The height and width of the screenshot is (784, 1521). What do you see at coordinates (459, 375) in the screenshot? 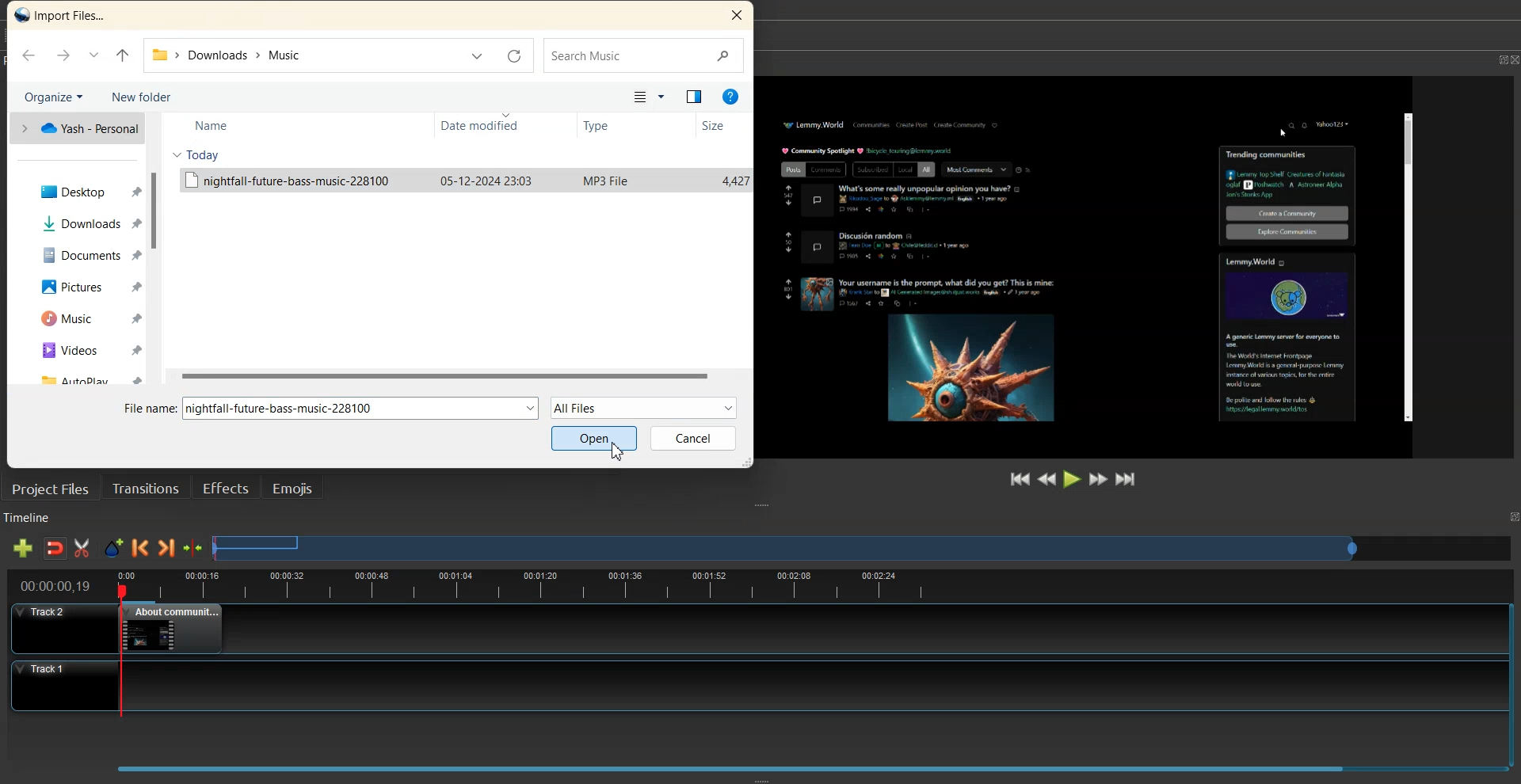
I see `Horizontal Scrollbar` at bounding box center [459, 375].